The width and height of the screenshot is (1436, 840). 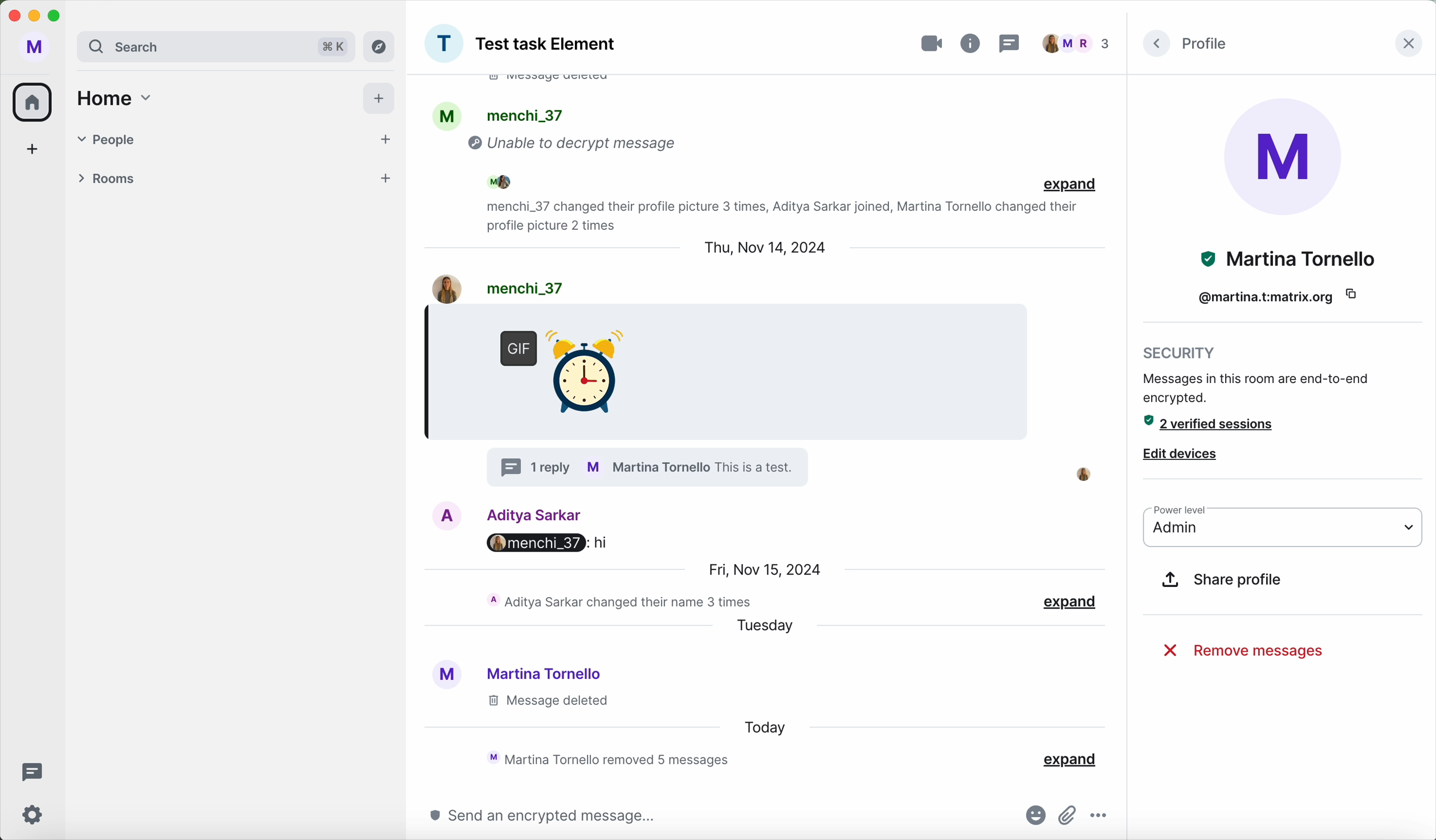 What do you see at coordinates (764, 727) in the screenshot?
I see `today` at bounding box center [764, 727].